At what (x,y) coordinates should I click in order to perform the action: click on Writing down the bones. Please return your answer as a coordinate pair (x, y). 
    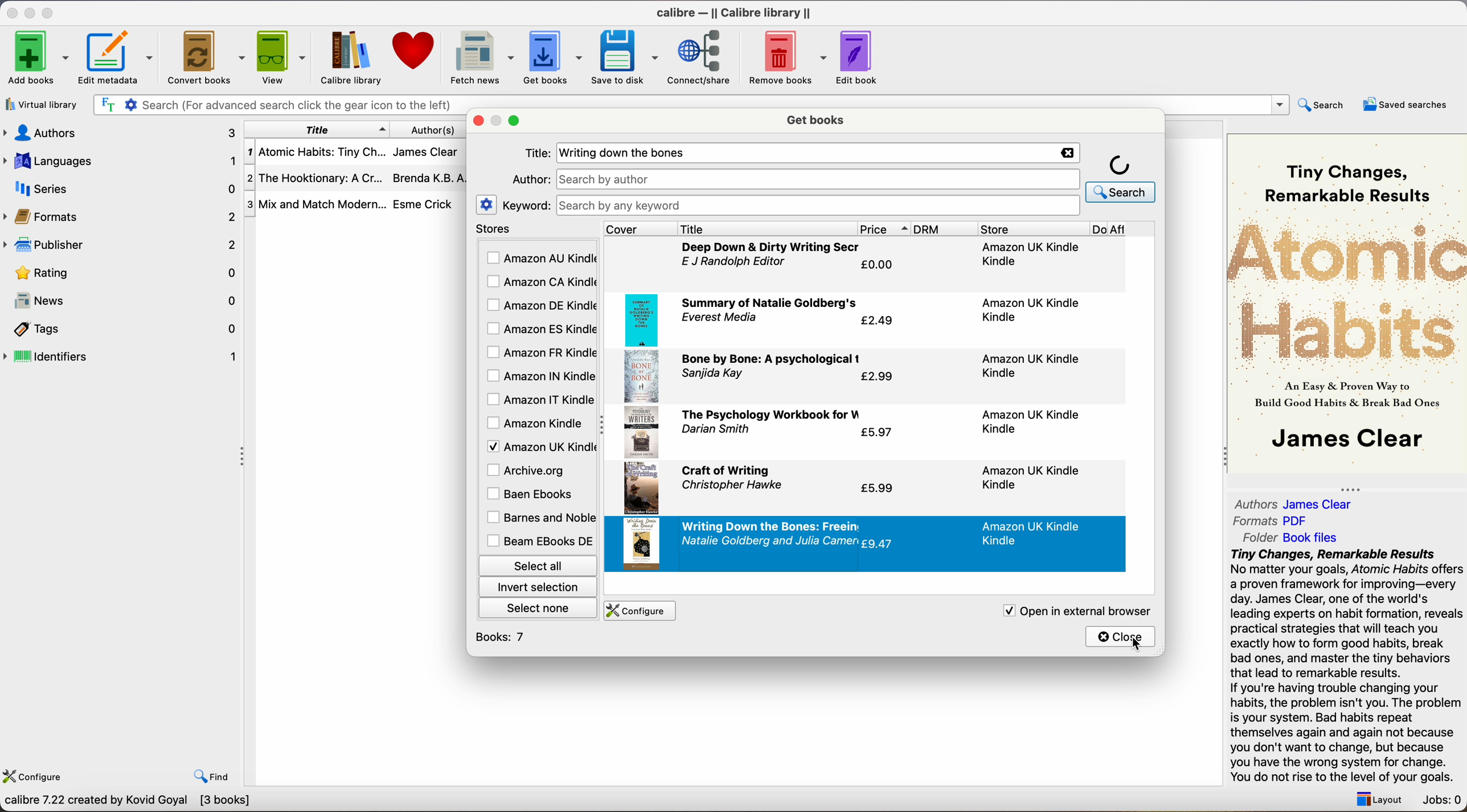
    Looking at the image, I should click on (629, 153).